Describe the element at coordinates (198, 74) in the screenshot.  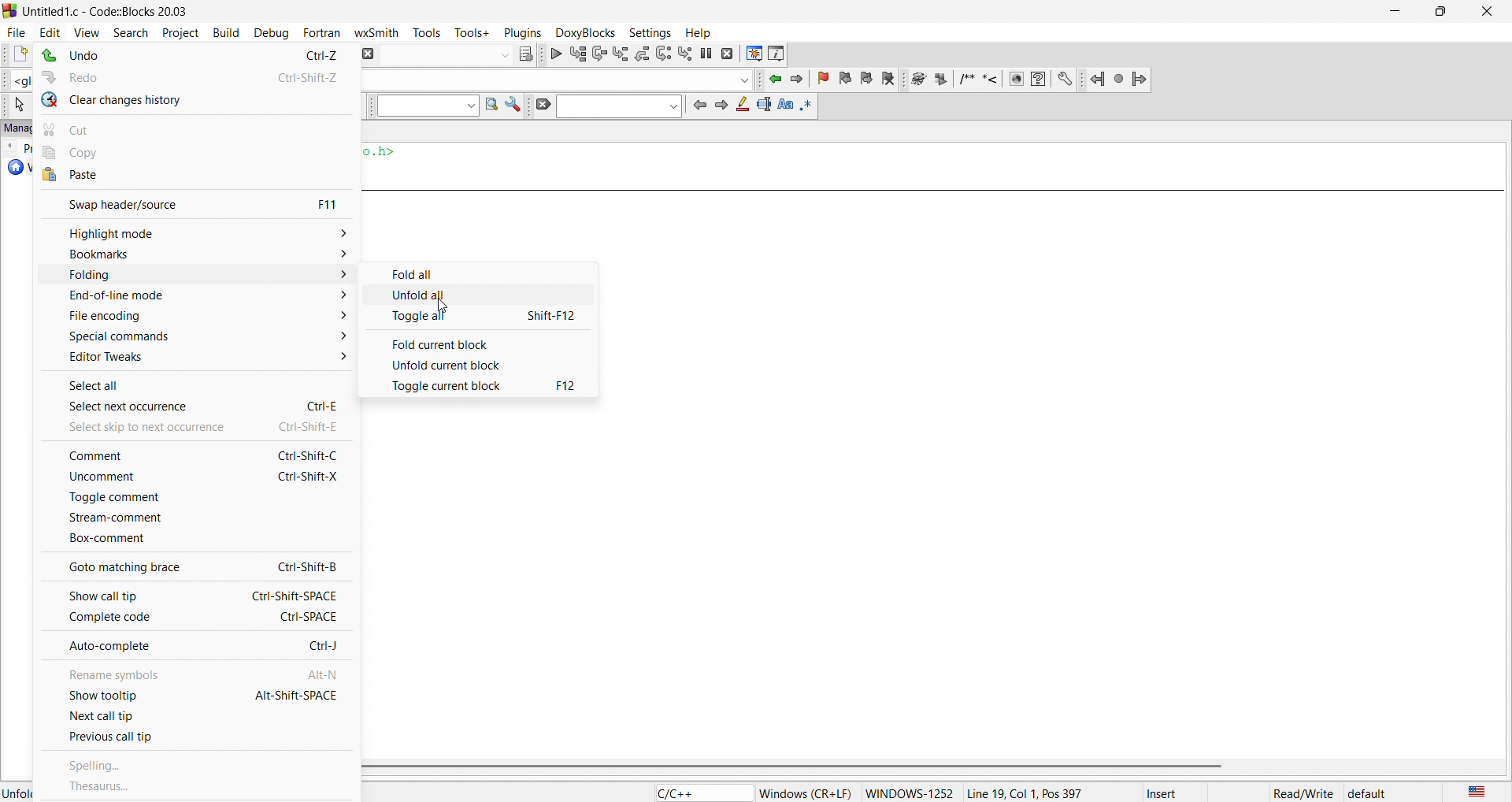
I see `redo` at that location.